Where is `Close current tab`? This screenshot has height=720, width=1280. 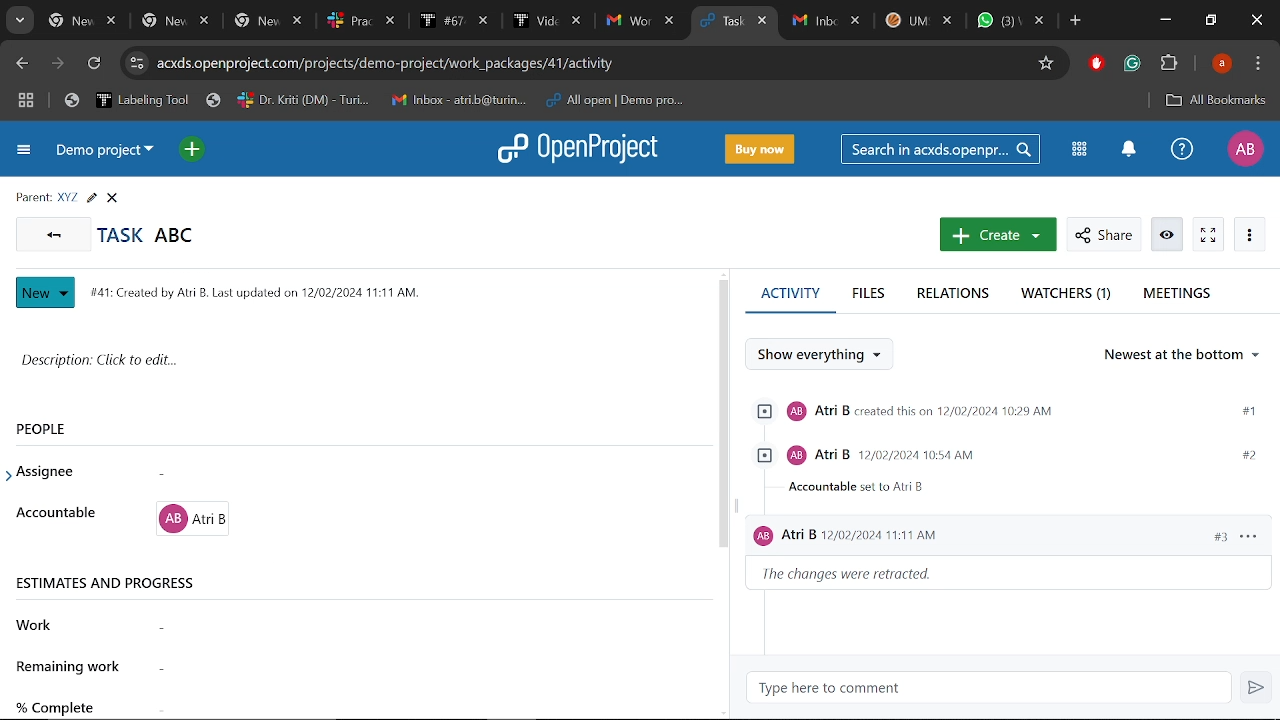 Close current tab is located at coordinates (763, 23).